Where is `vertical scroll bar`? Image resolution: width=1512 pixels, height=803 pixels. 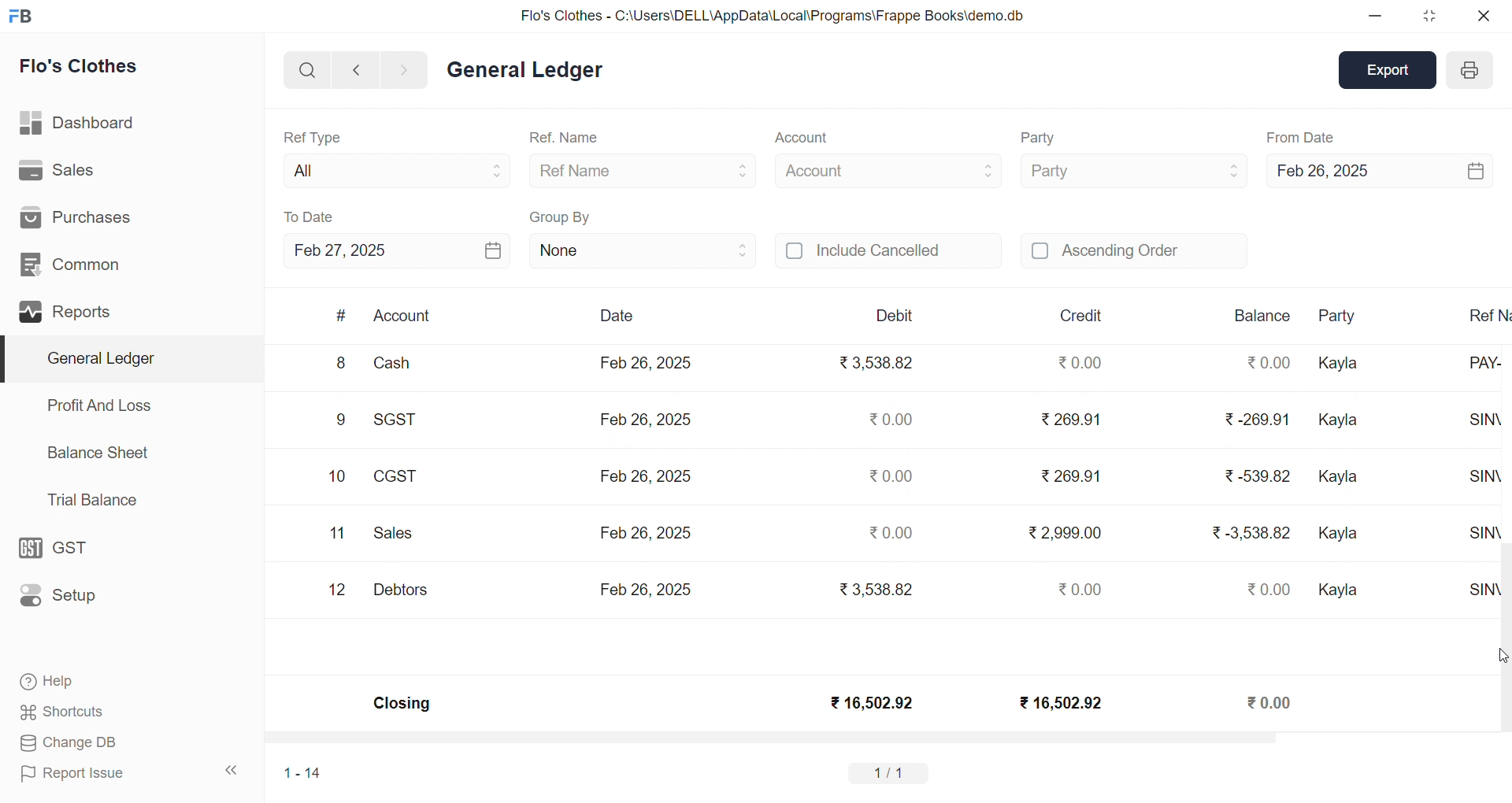
vertical scroll bar is located at coordinates (1503, 539).